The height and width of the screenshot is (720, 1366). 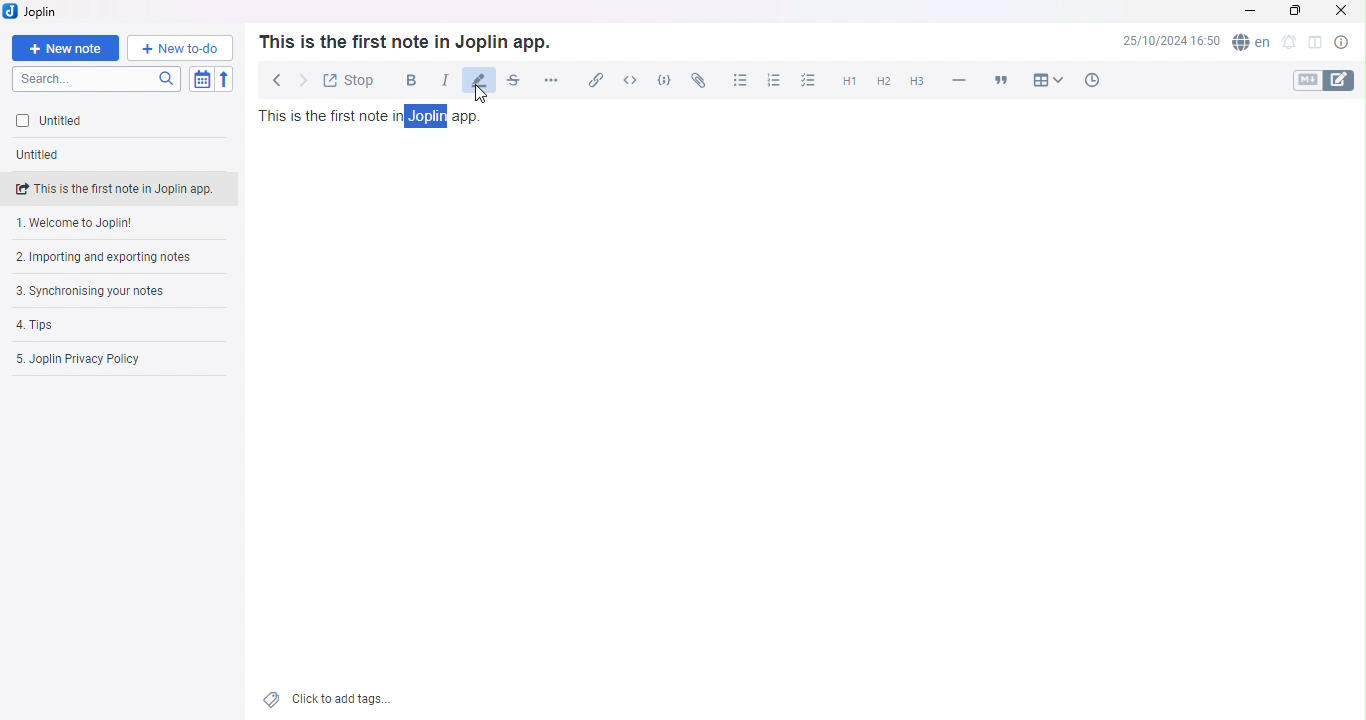 What do you see at coordinates (46, 156) in the screenshot?
I see `Untitled` at bounding box center [46, 156].